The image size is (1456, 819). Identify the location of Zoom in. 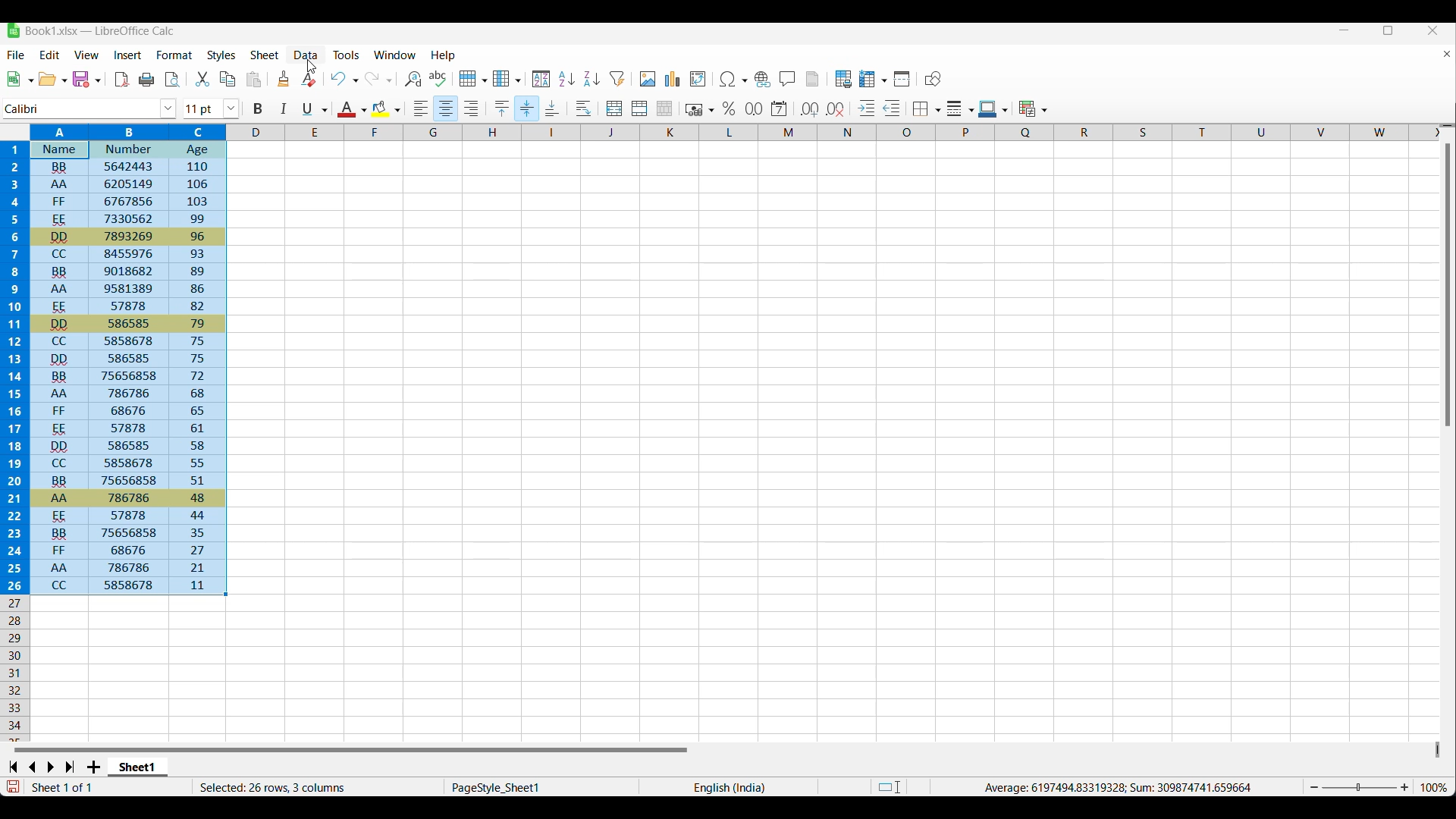
(1404, 787).